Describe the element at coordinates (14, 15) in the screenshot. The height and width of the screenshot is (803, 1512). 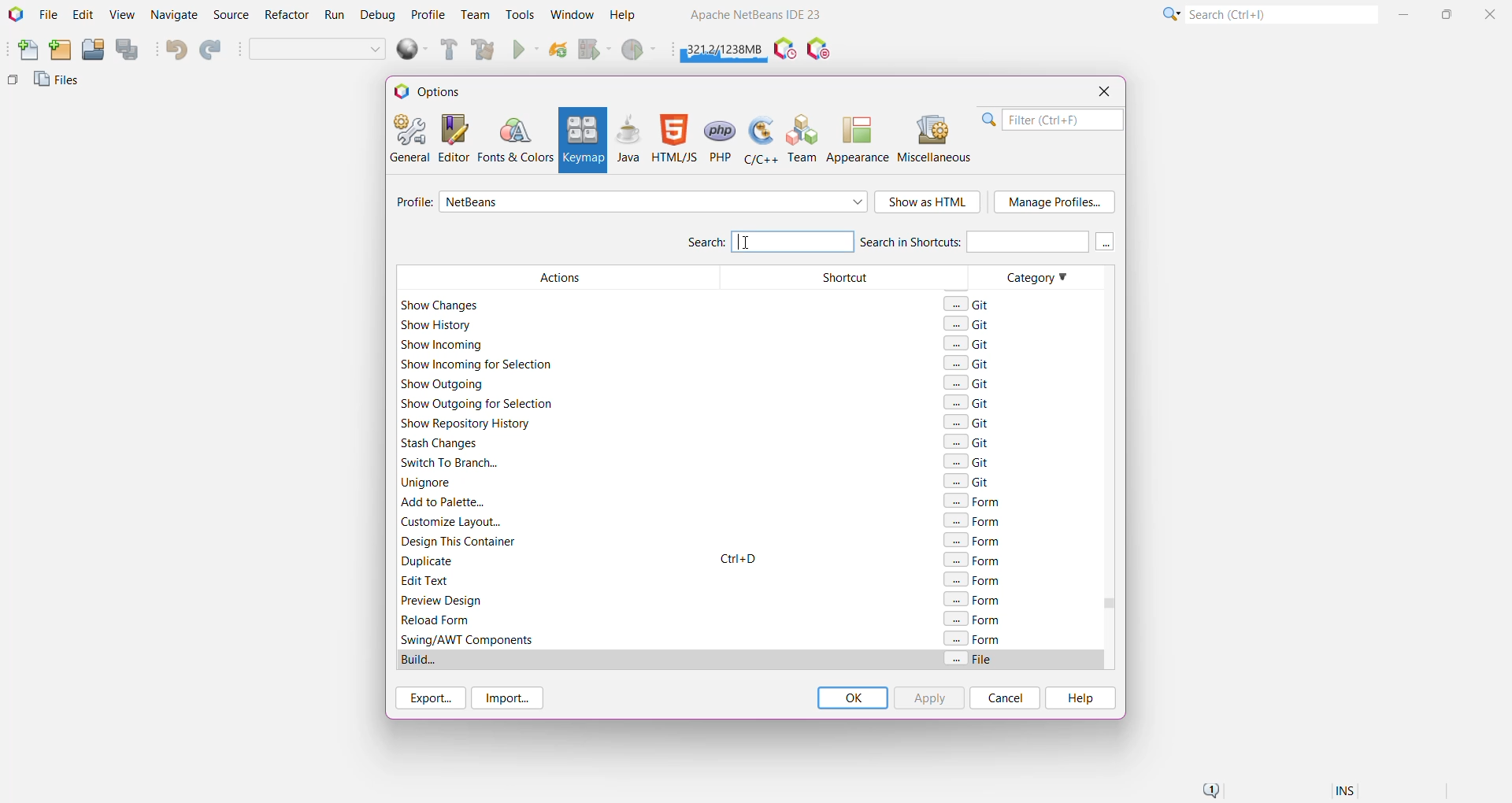
I see `Application Logo` at that location.